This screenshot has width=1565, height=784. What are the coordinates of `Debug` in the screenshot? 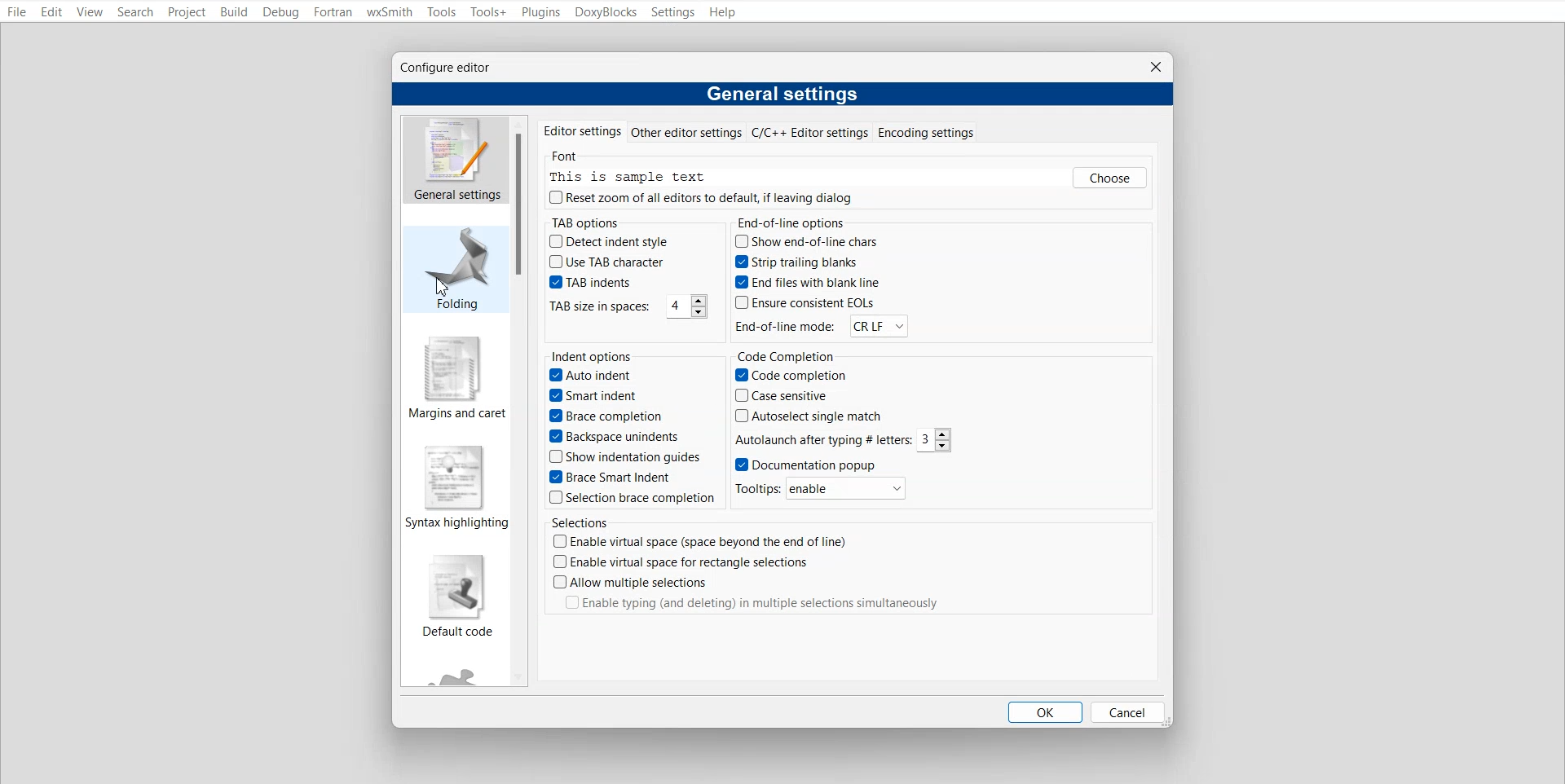 It's located at (280, 12).